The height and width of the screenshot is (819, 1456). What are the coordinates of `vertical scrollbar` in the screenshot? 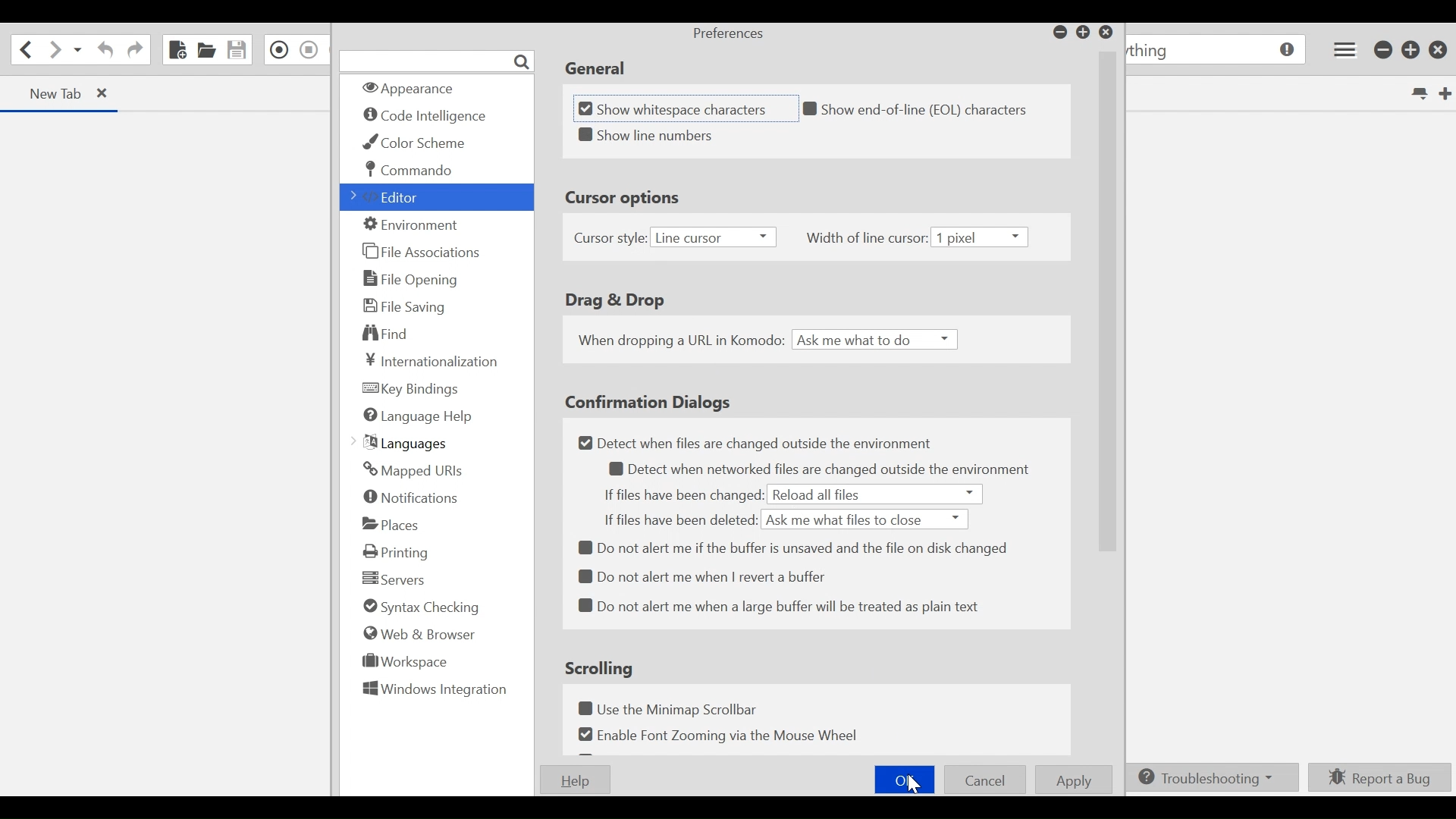 It's located at (1109, 308).